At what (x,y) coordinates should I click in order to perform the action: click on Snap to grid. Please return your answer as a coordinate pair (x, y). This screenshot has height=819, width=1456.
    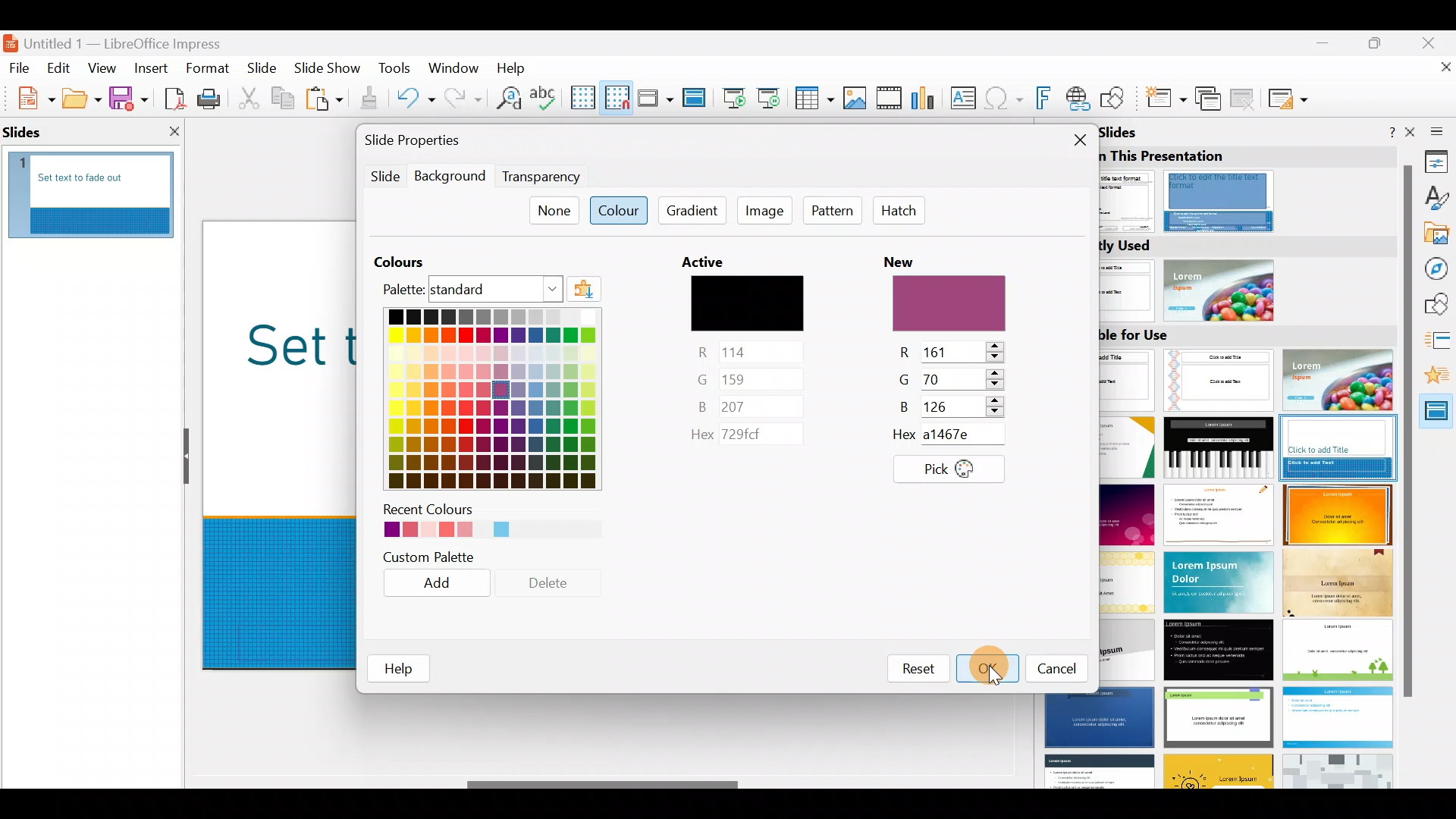
    Looking at the image, I should click on (614, 97).